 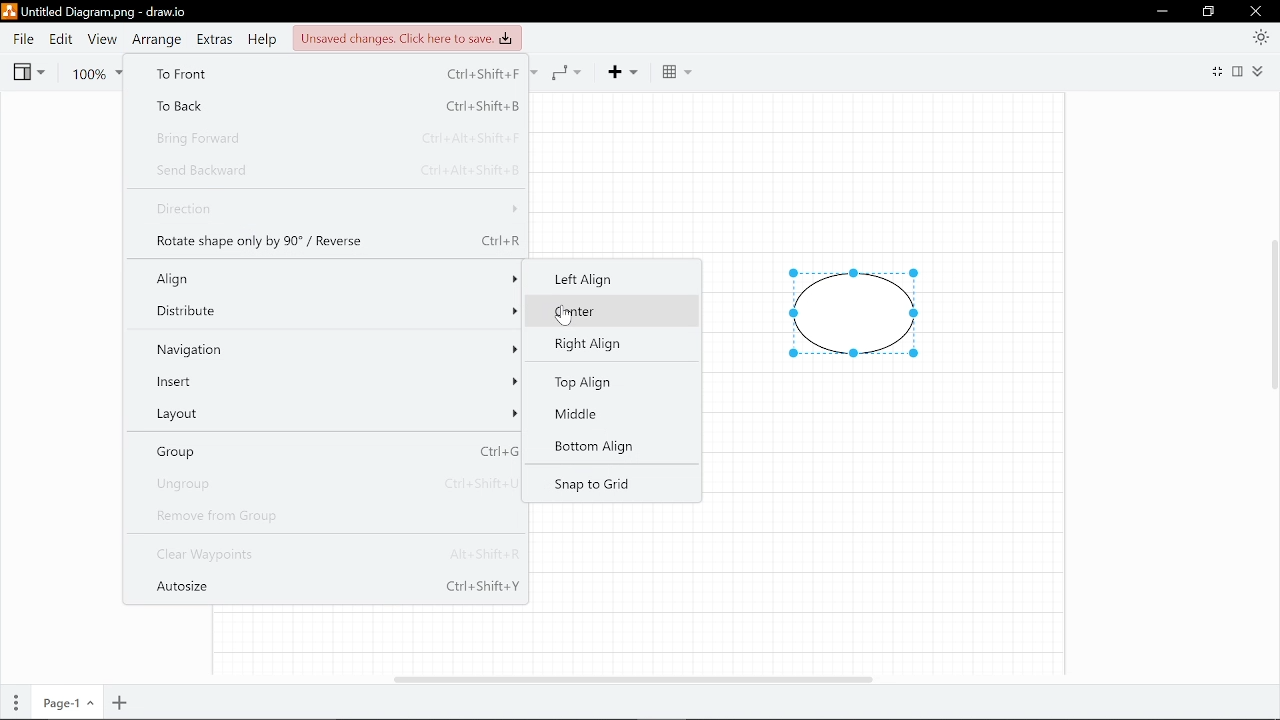 What do you see at coordinates (676, 72) in the screenshot?
I see `Table` at bounding box center [676, 72].